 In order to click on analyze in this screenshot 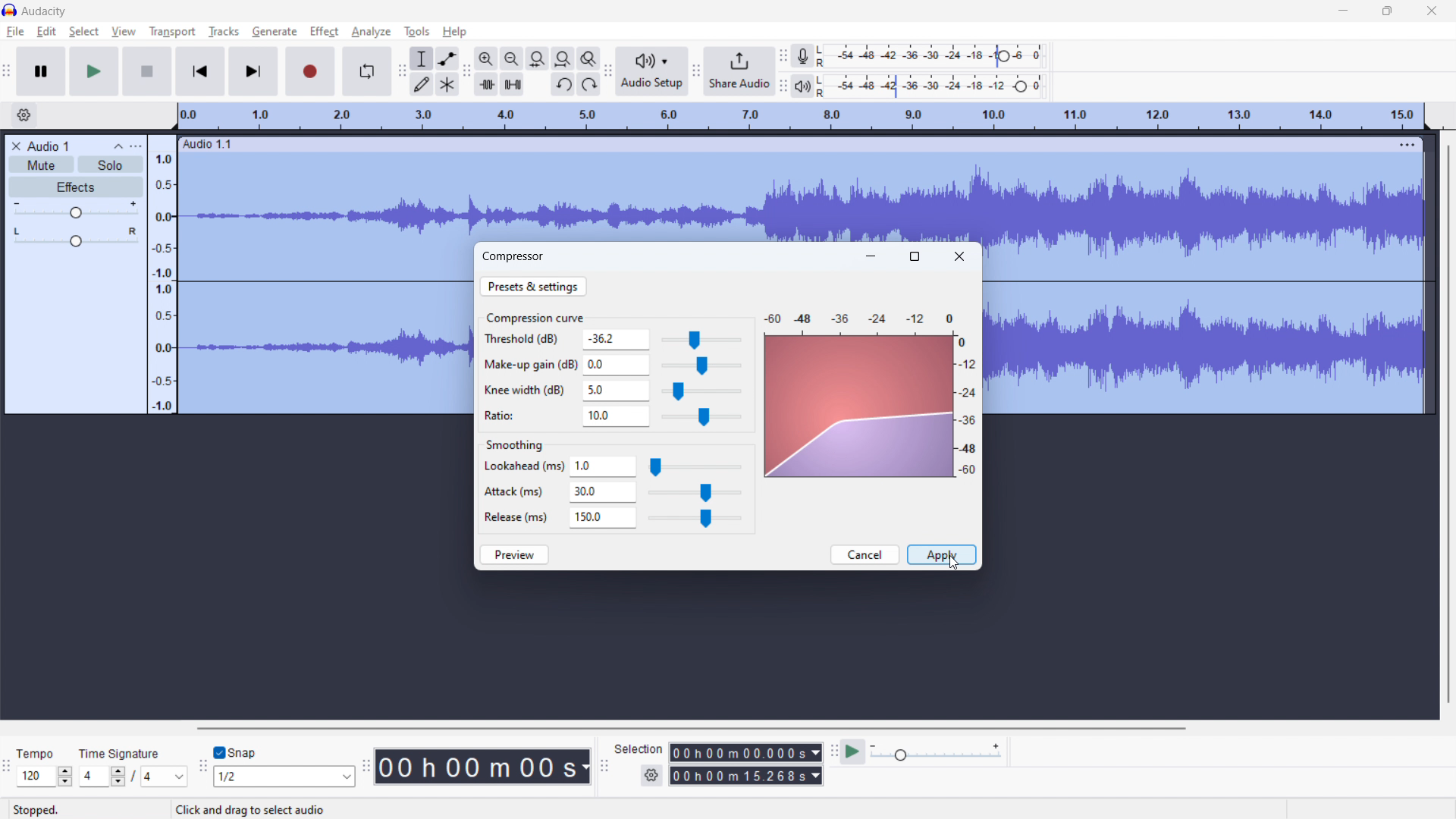, I will do `click(370, 33)`.